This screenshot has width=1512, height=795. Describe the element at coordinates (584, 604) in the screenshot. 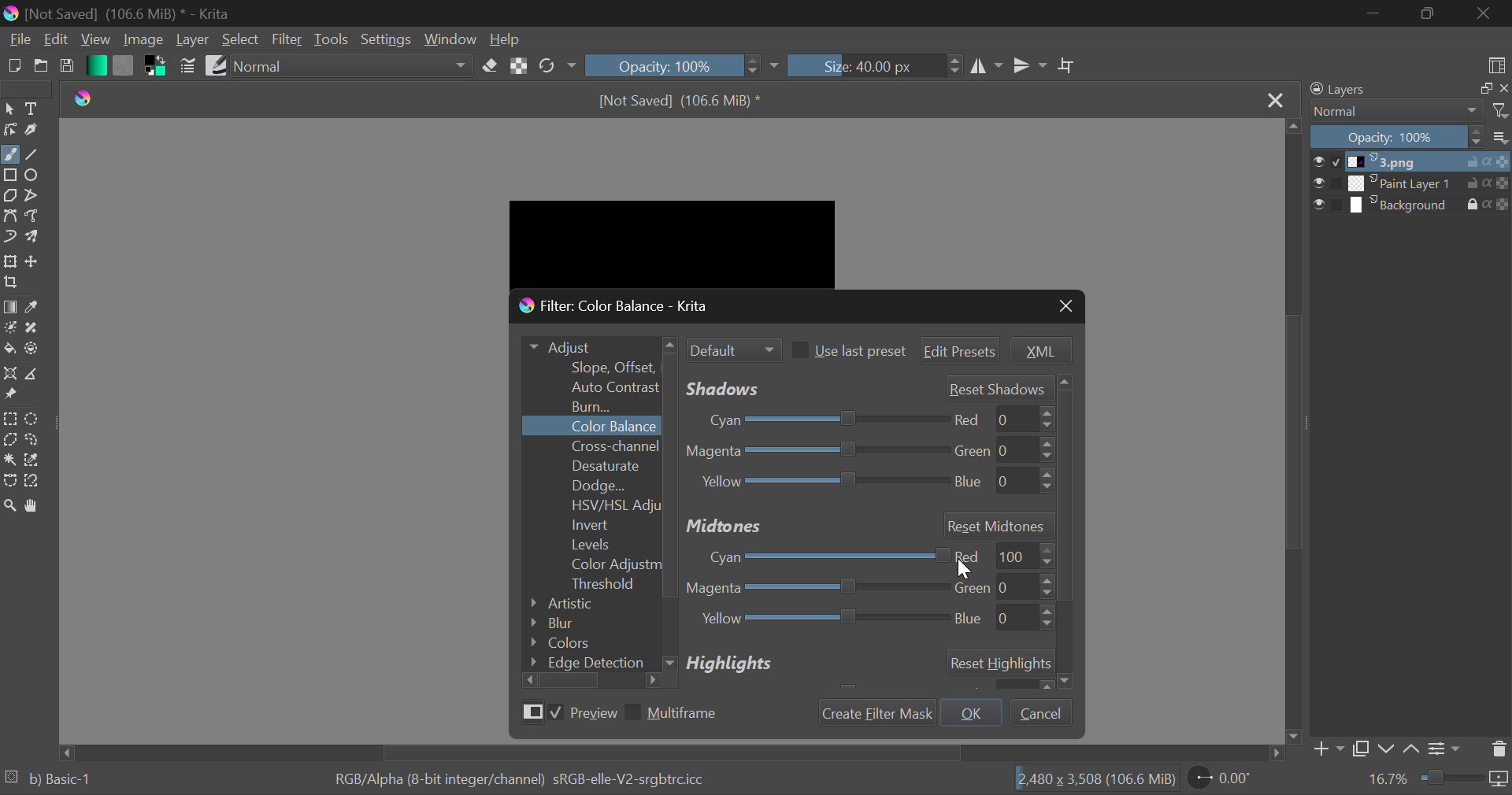

I see `Artistic` at that location.